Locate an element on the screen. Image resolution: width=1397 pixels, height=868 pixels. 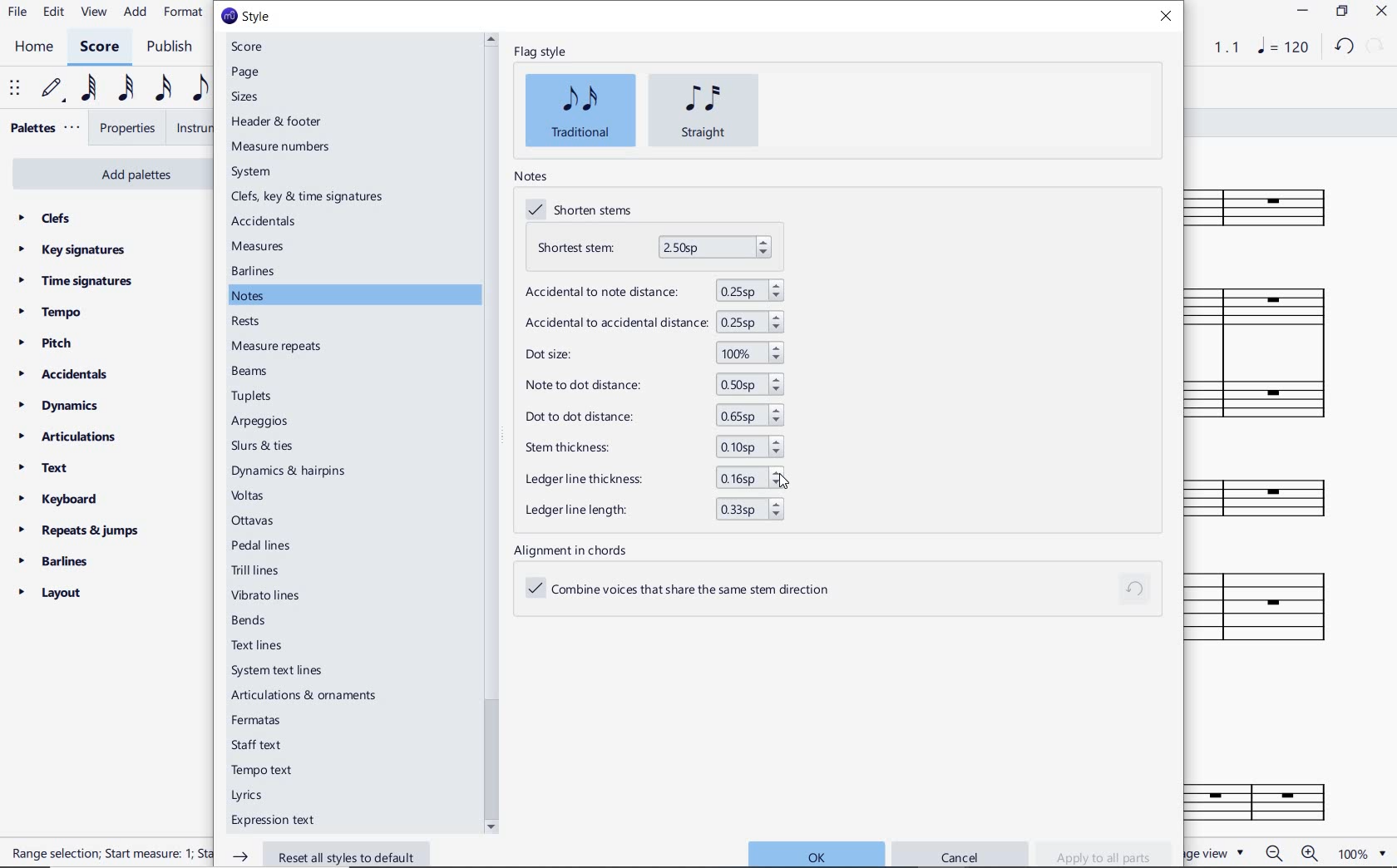
expression text is located at coordinates (281, 819).